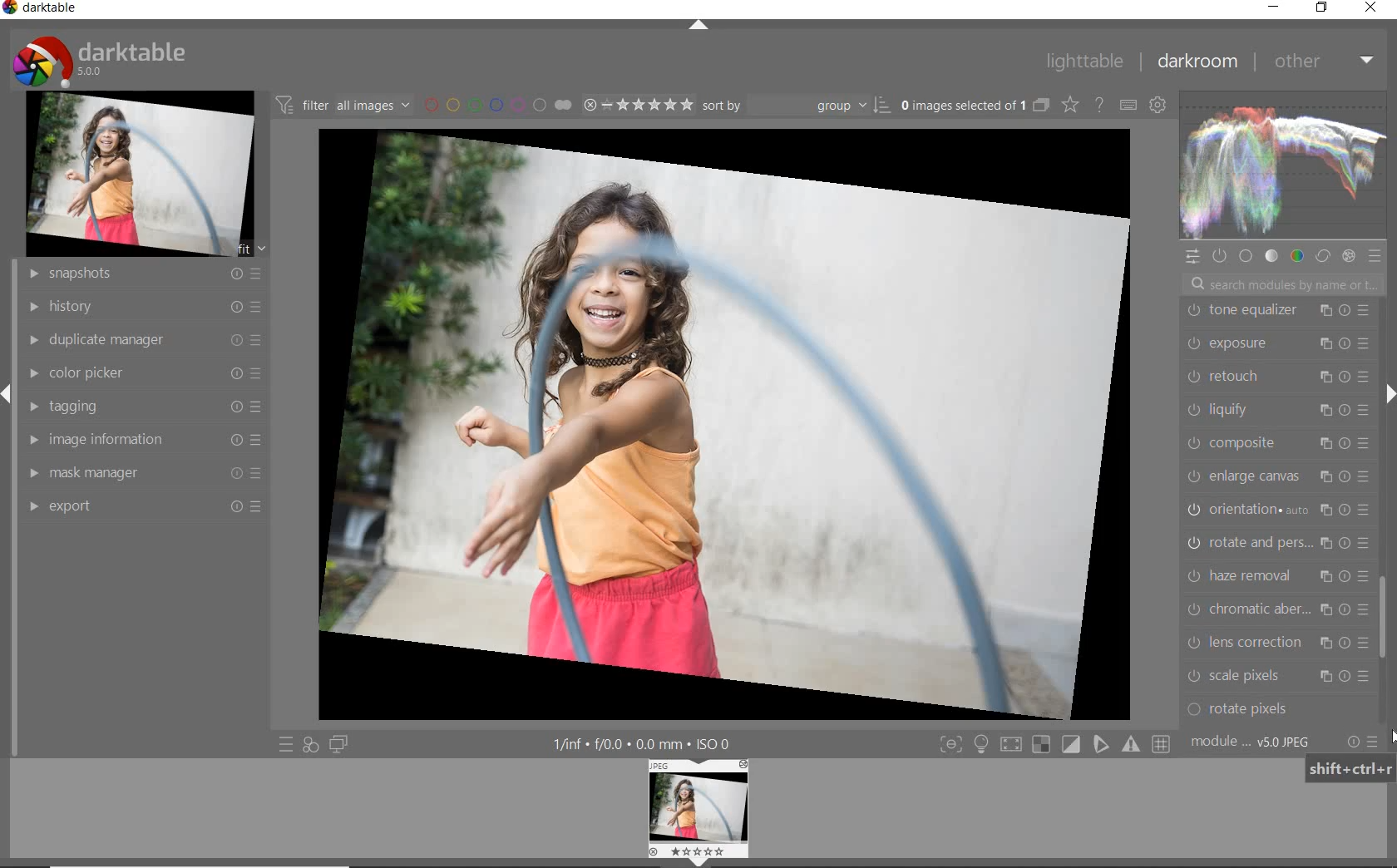 This screenshot has width=1397, height=868. What do you see at coordinates (701, 813) in the screenshot?
I see `image preview` at bounding box center [701, 813].